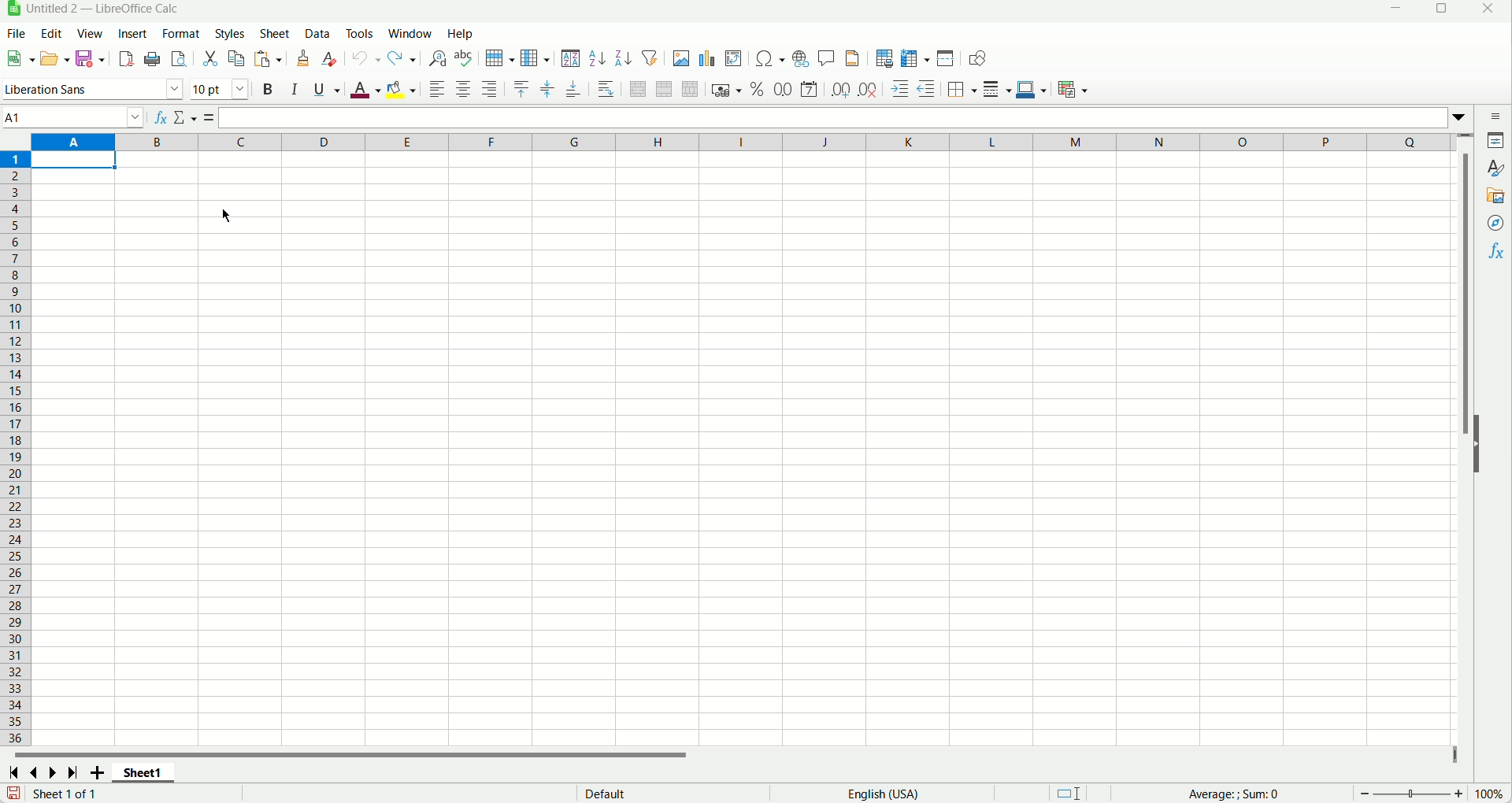  Describe the element at coordinates (268, 59) in the screenshot. I see `Paste` at that location.